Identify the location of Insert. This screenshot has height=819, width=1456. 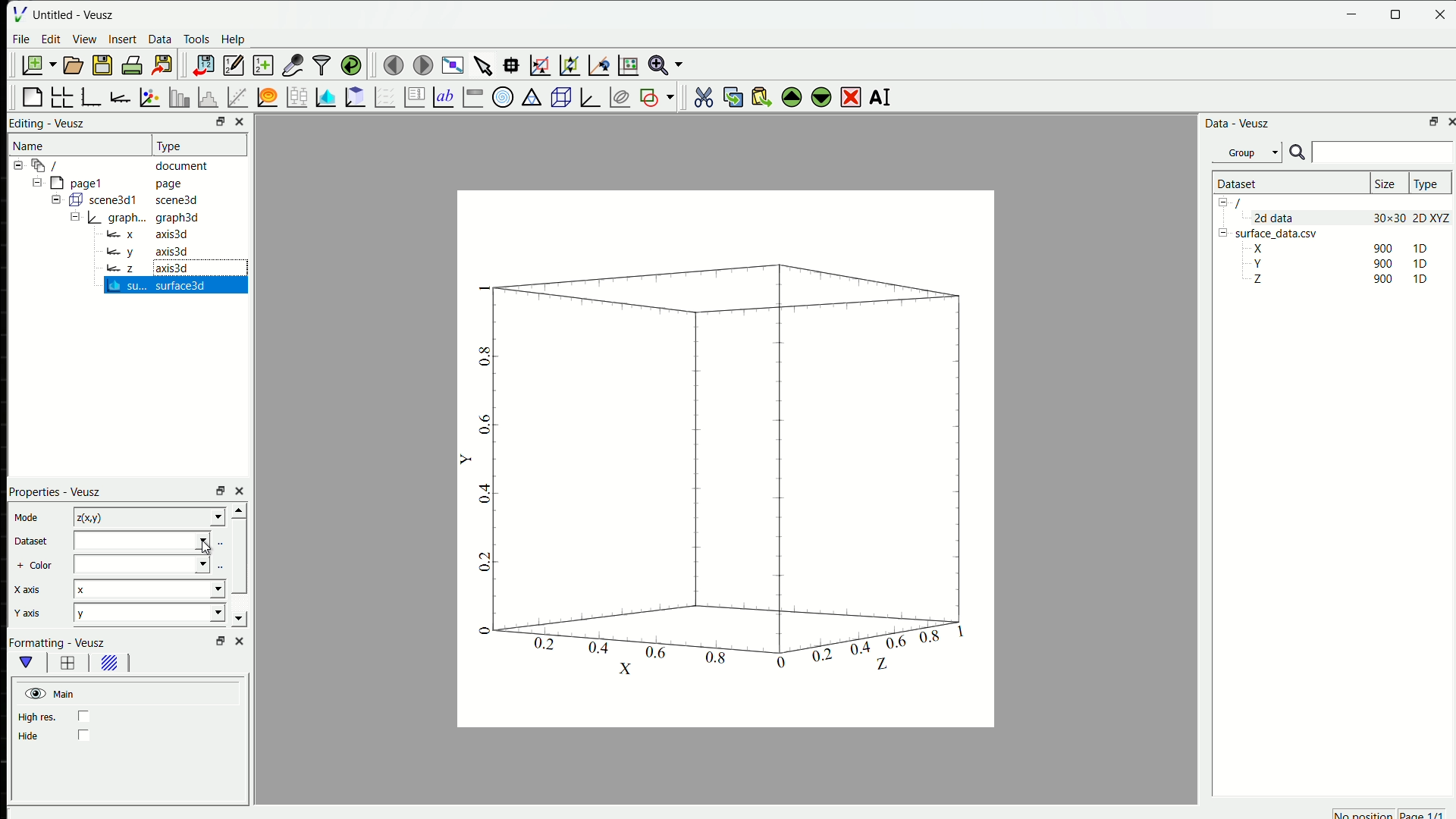
(125, 39).